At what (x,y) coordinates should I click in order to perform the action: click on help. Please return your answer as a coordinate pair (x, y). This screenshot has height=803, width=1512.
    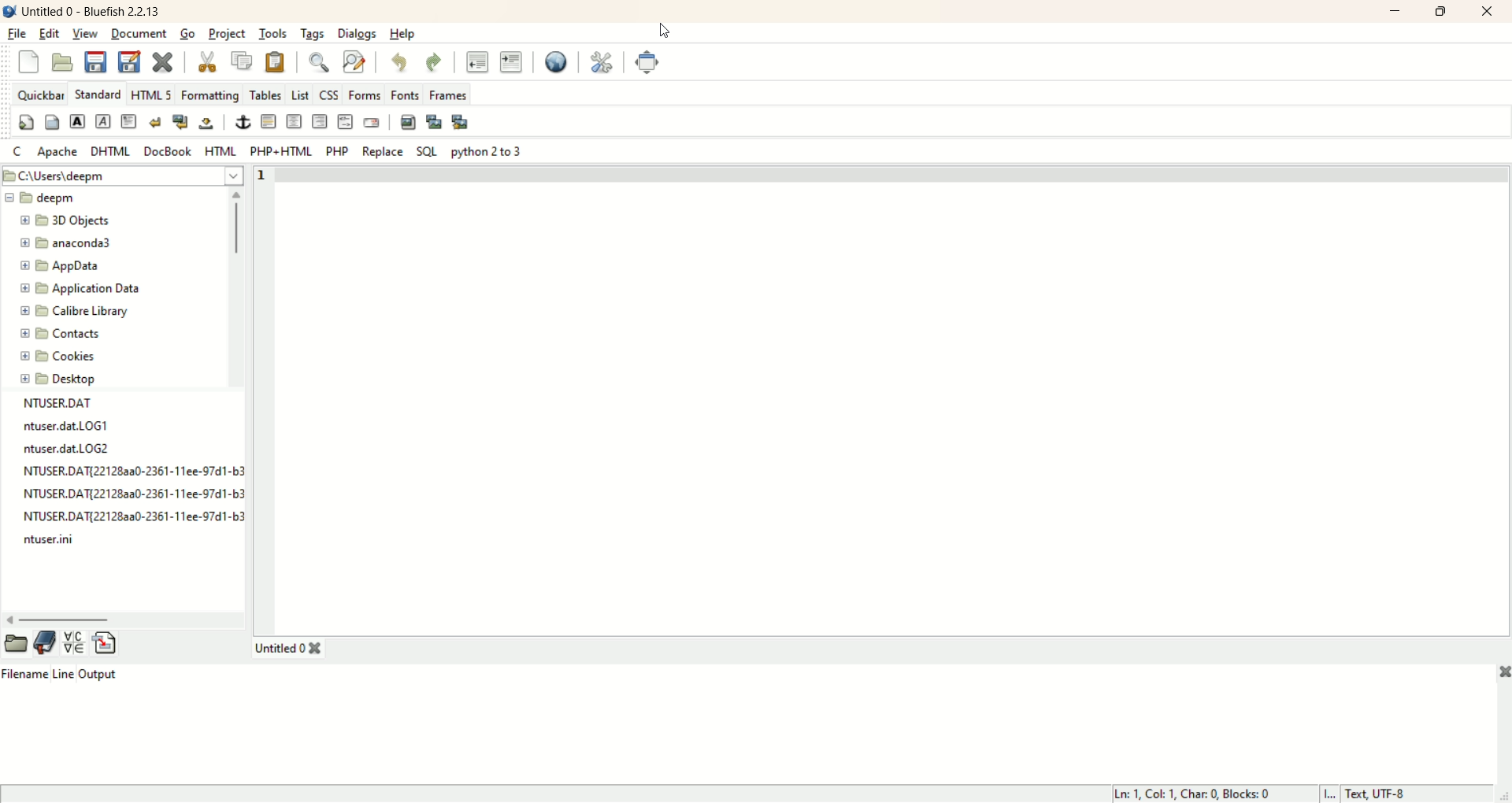
    Looking at the image, I should click on (406, 32).